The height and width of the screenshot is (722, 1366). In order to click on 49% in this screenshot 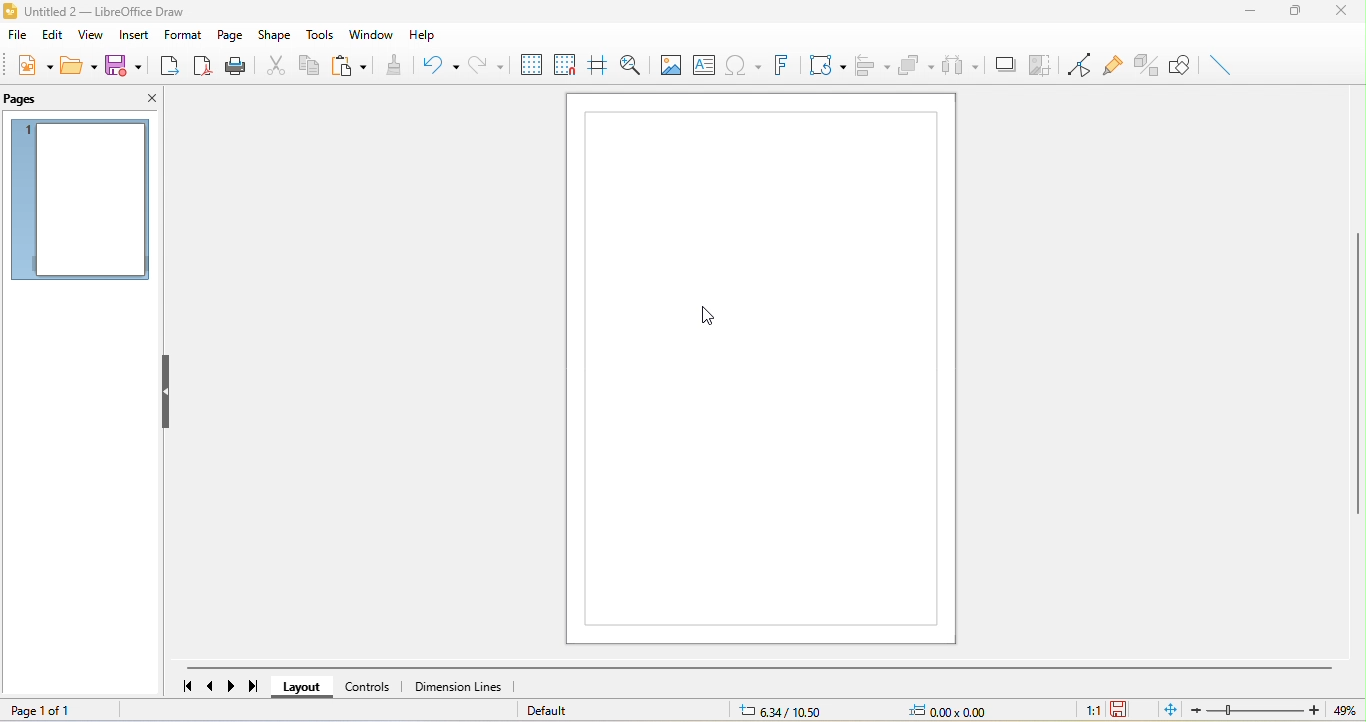, I will do `click(1347, 710)`.